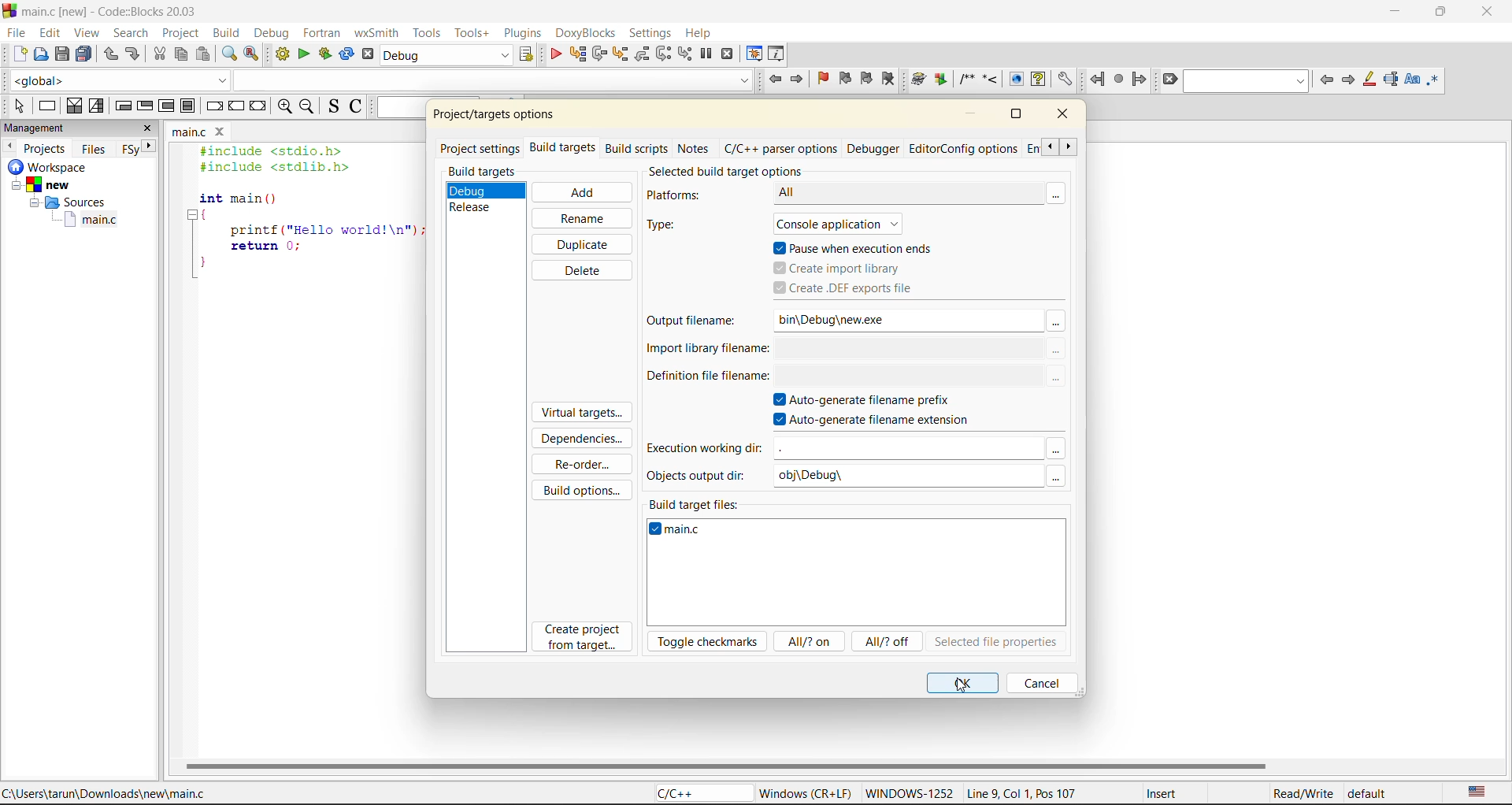 The image size is (1512, 805). What do you see at coordinates (230, 54) in the screenshot?
I see `find` at bounding box center [230, 54].